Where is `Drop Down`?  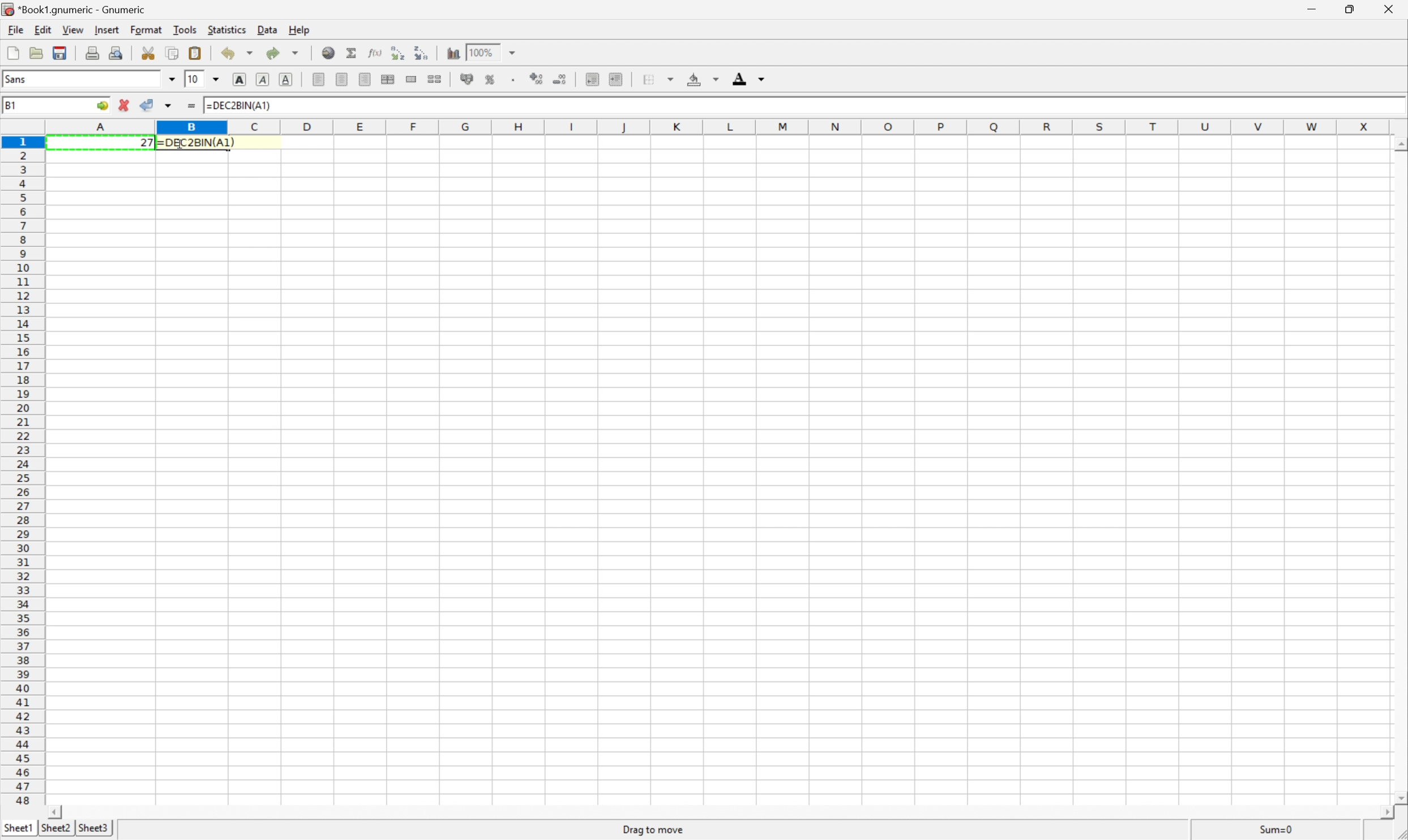 Drop Down is located at coordinates (219, 80).